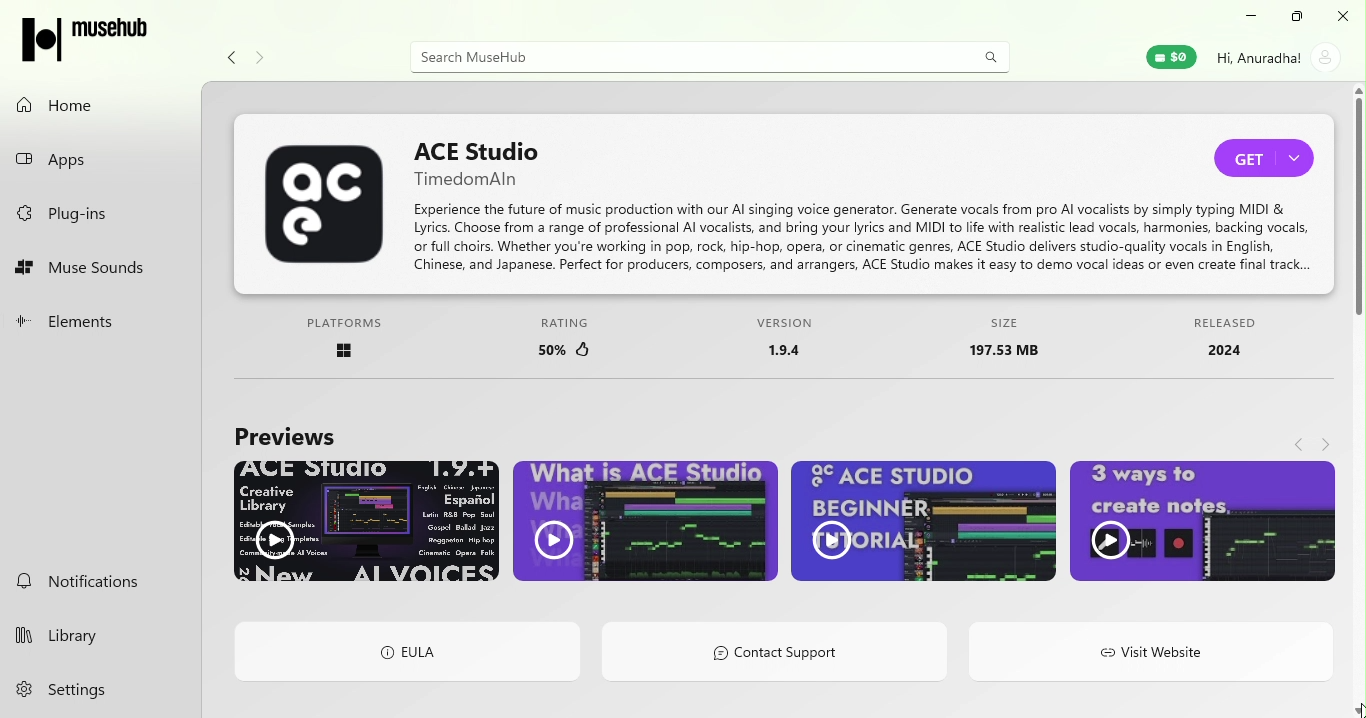  I want to click on Video preview, so click(920, 526).